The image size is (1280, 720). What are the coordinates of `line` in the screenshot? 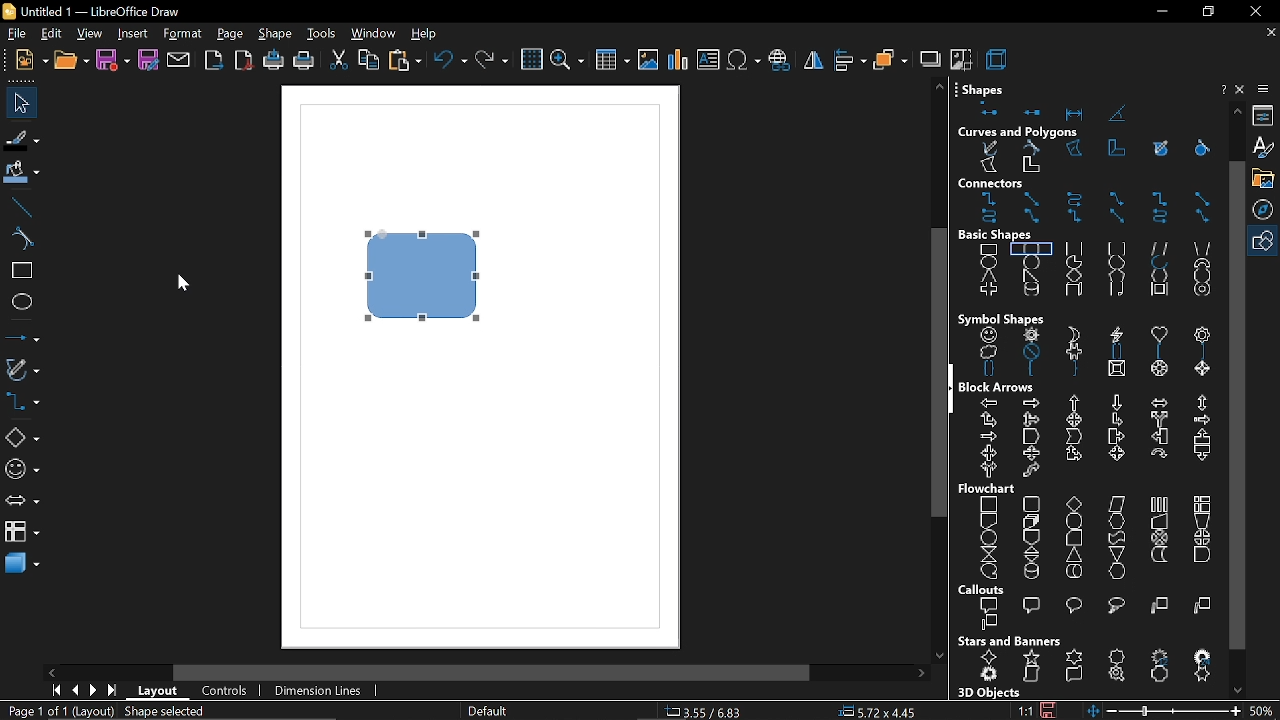 It's located at (22, 207).